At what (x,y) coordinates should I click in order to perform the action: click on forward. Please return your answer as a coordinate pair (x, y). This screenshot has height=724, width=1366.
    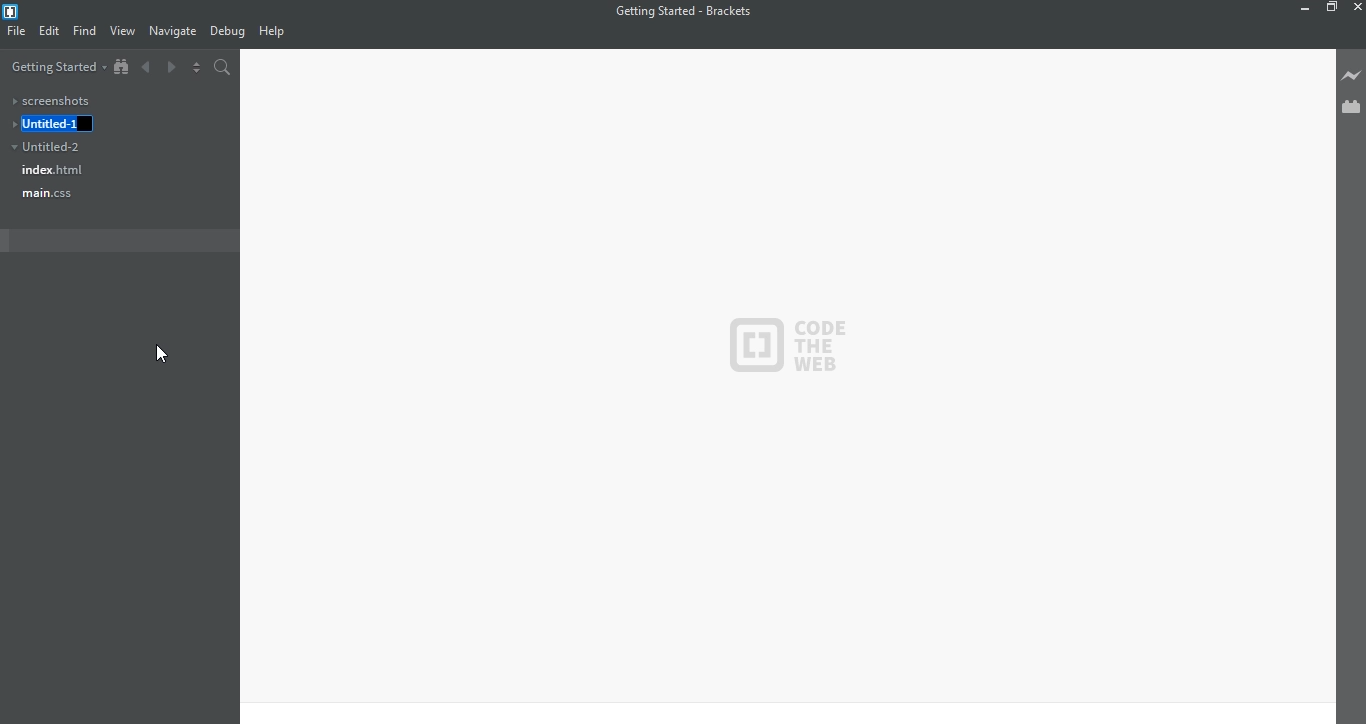
    Looking at the image, I should click on (172, 67).